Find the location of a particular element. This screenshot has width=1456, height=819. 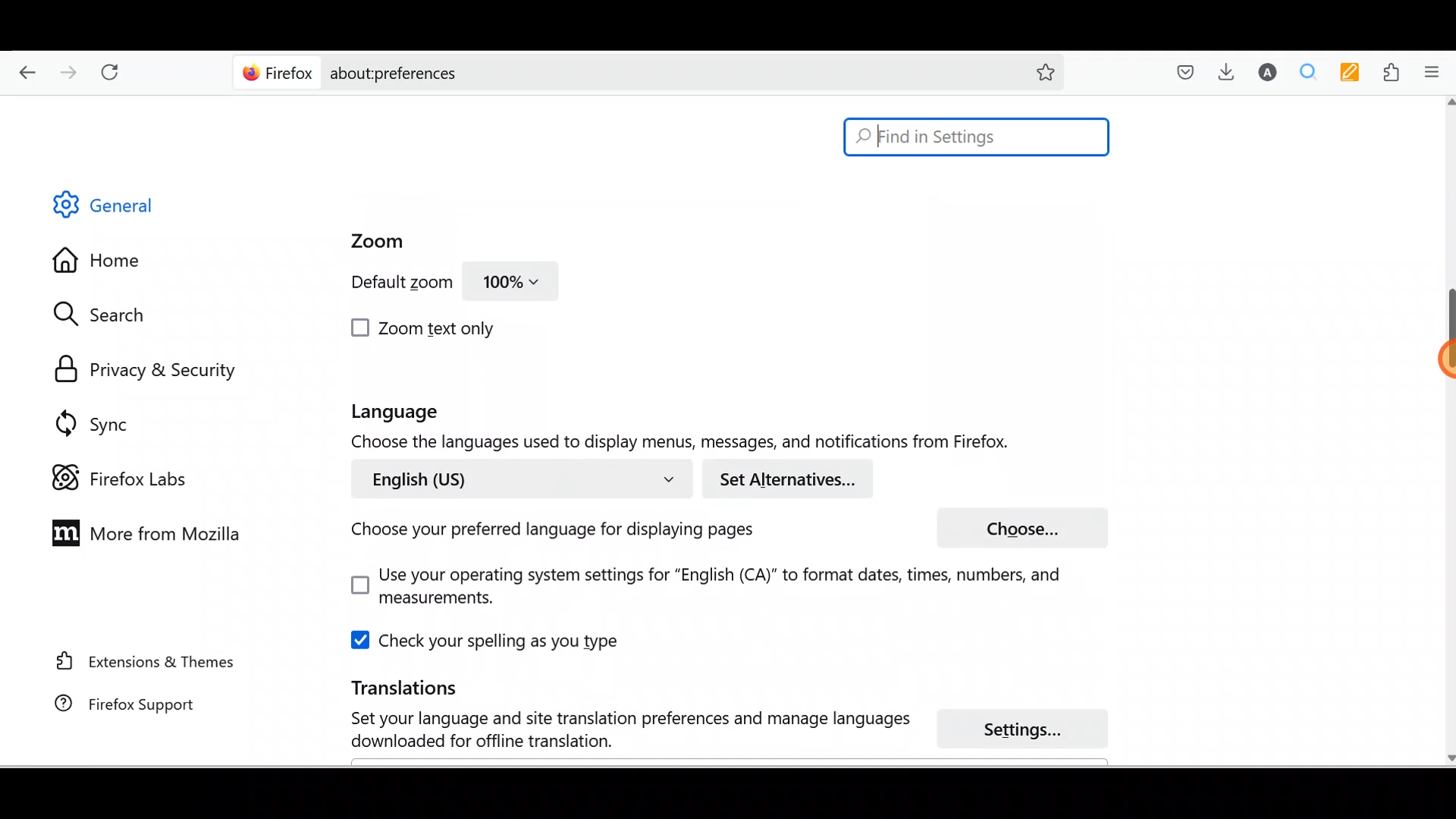

Downloads is located at coordinates (1222, 71).